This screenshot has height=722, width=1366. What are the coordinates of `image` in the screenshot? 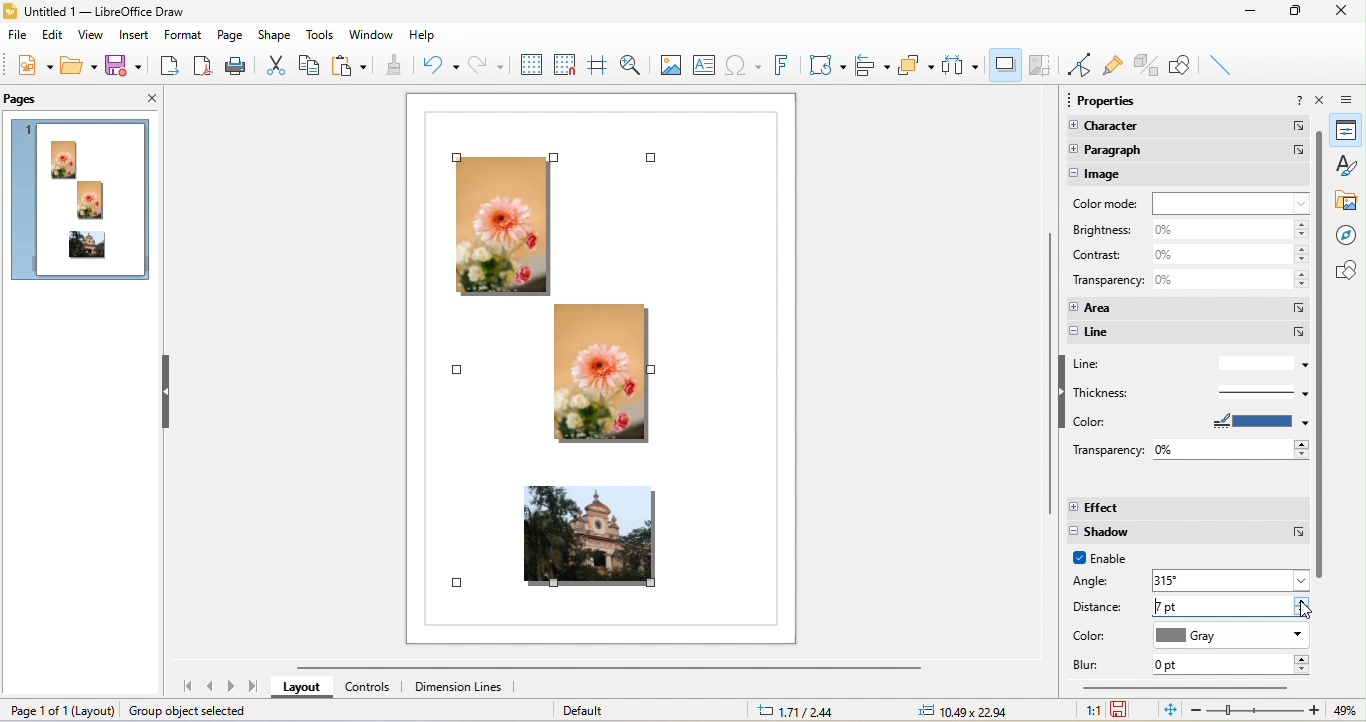 It's located at (1190, 175).